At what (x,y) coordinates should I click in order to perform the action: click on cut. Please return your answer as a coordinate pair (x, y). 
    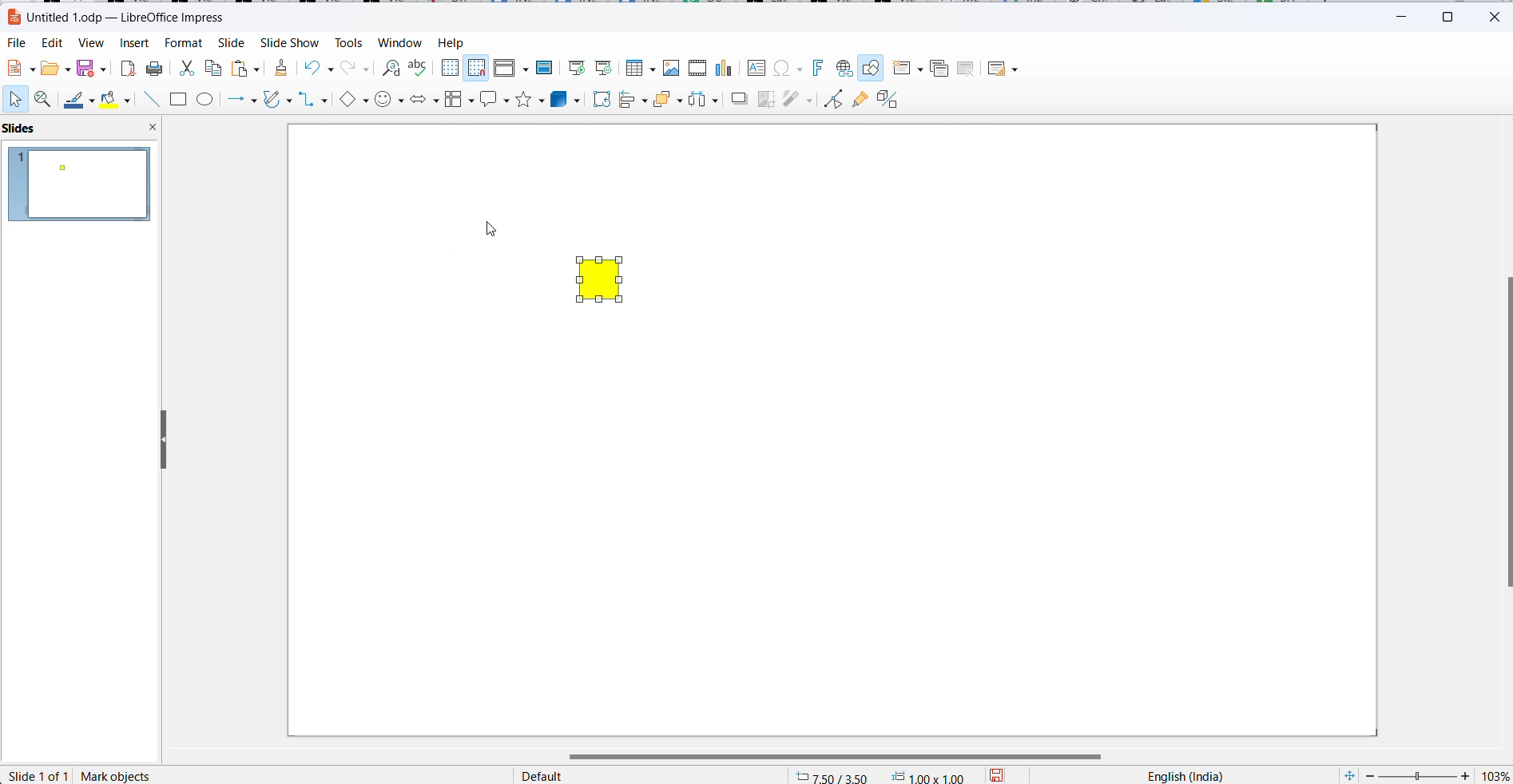
    Looking at the image, I should click on (186, 71).